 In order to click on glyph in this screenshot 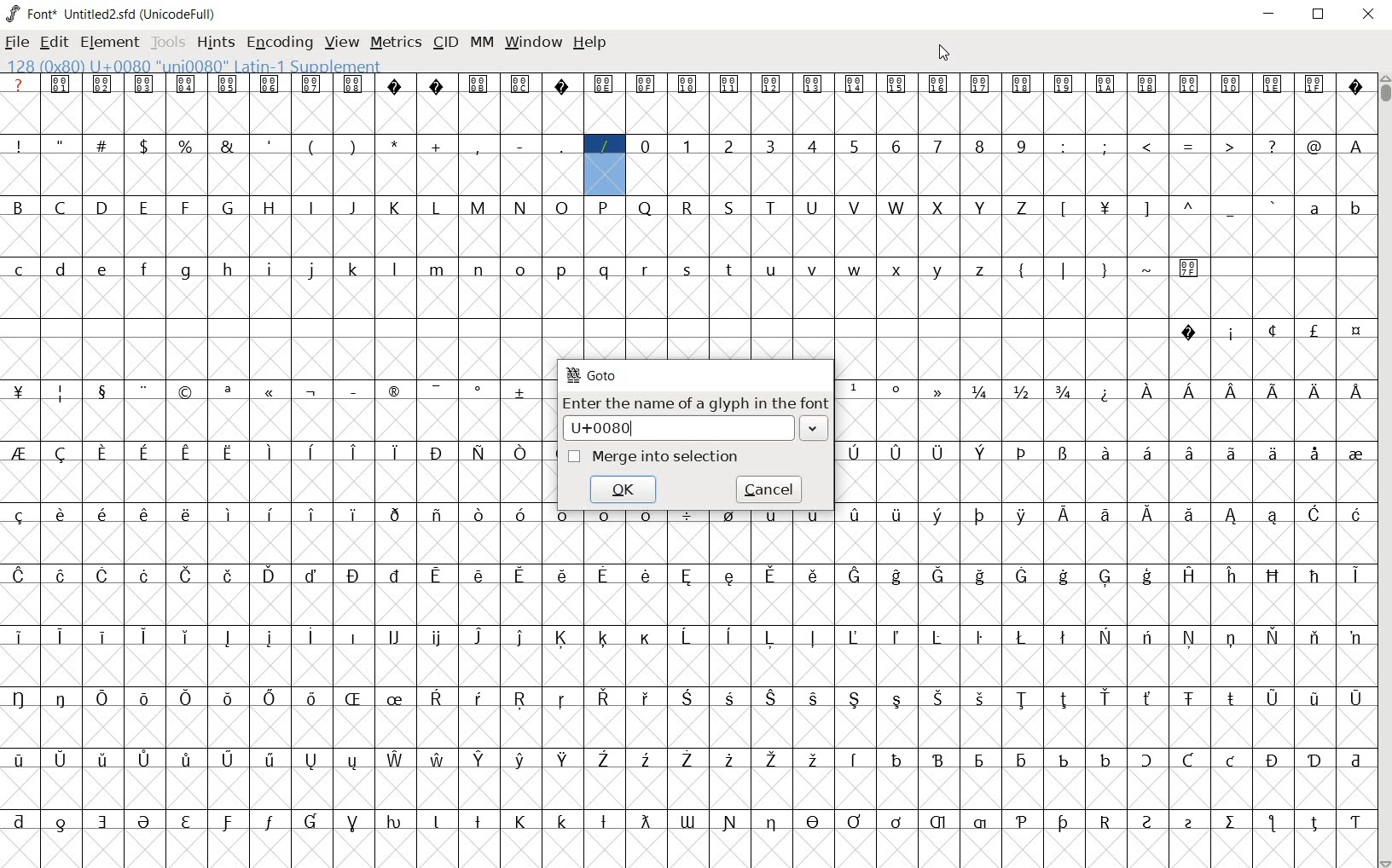, I will do `click(728, 636)`.